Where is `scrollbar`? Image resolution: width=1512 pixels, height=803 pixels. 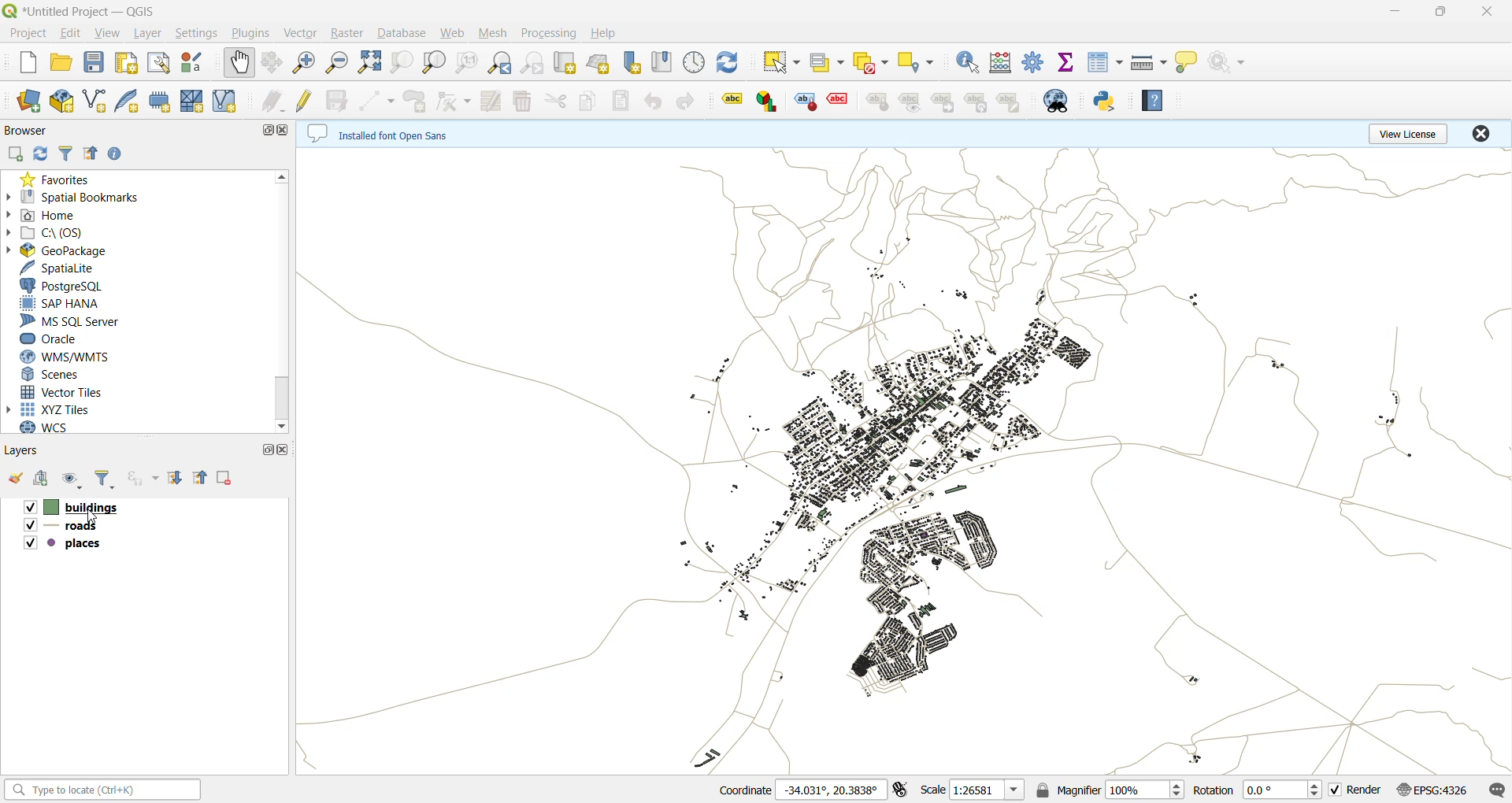
scrollbar is located at coordinates (284, 300).